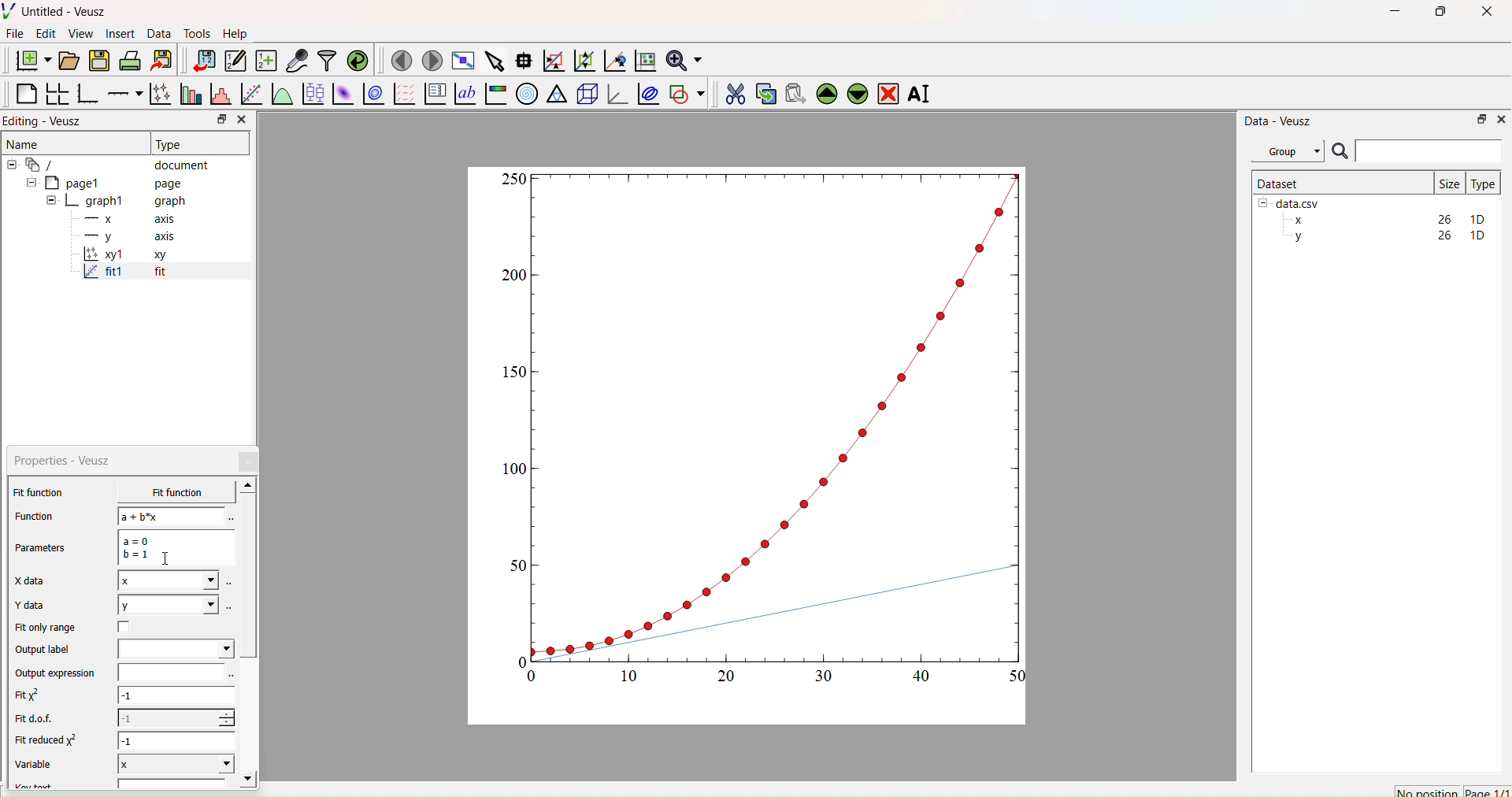 The image size is (1512, 797). Describe the element at coordinates (683, 58) in the screenshot. I see `Zoom functions menu` at that location.